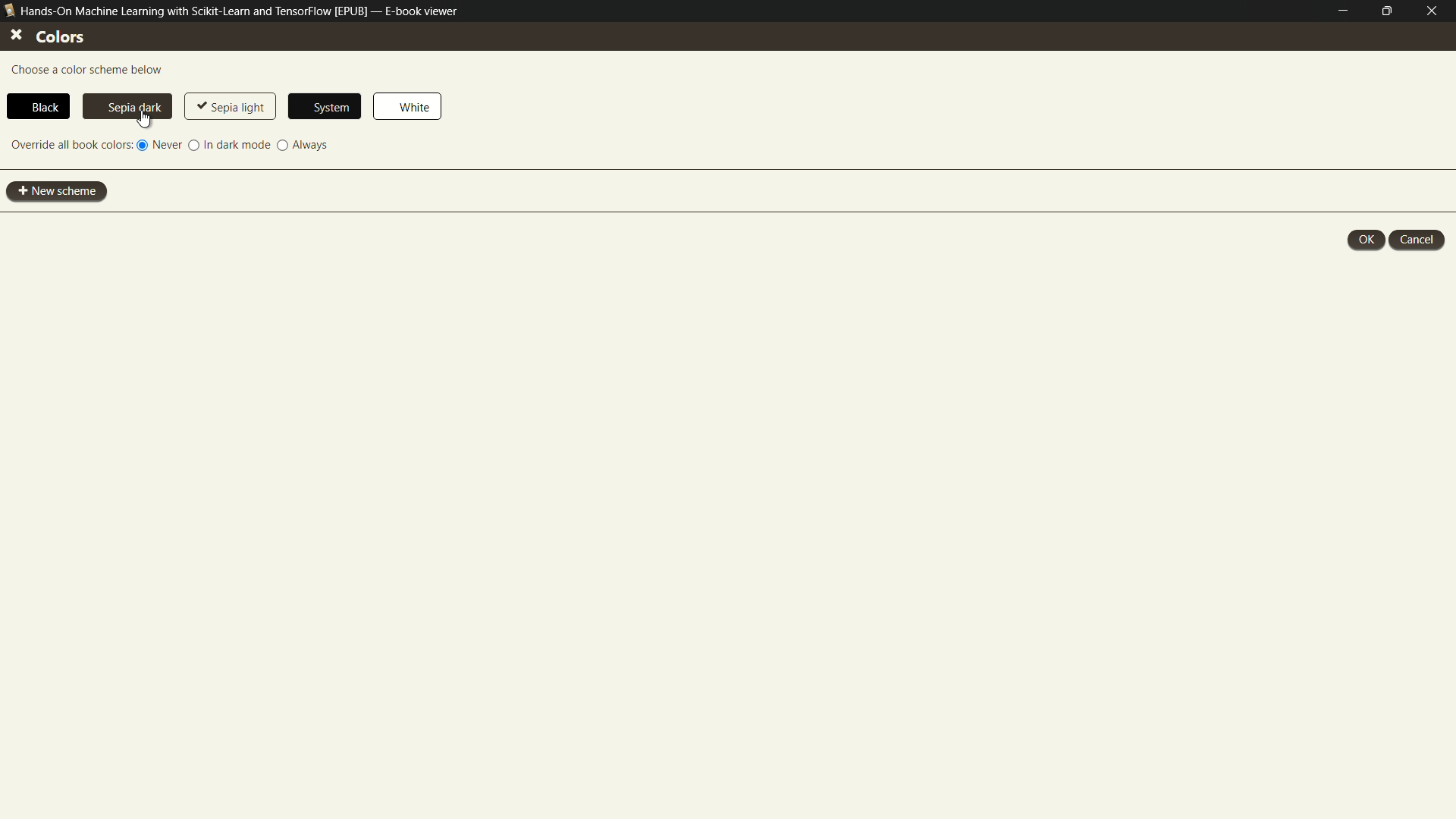 Image resolution: width=1456 pixels, height=819 pixels. Describe the element at coordinates (232, 14) in the screenshot. I see `Hands-On Machine Learning with Scikit-Learn and TensorFlow [EPUB] — E-book viewer` at that location.